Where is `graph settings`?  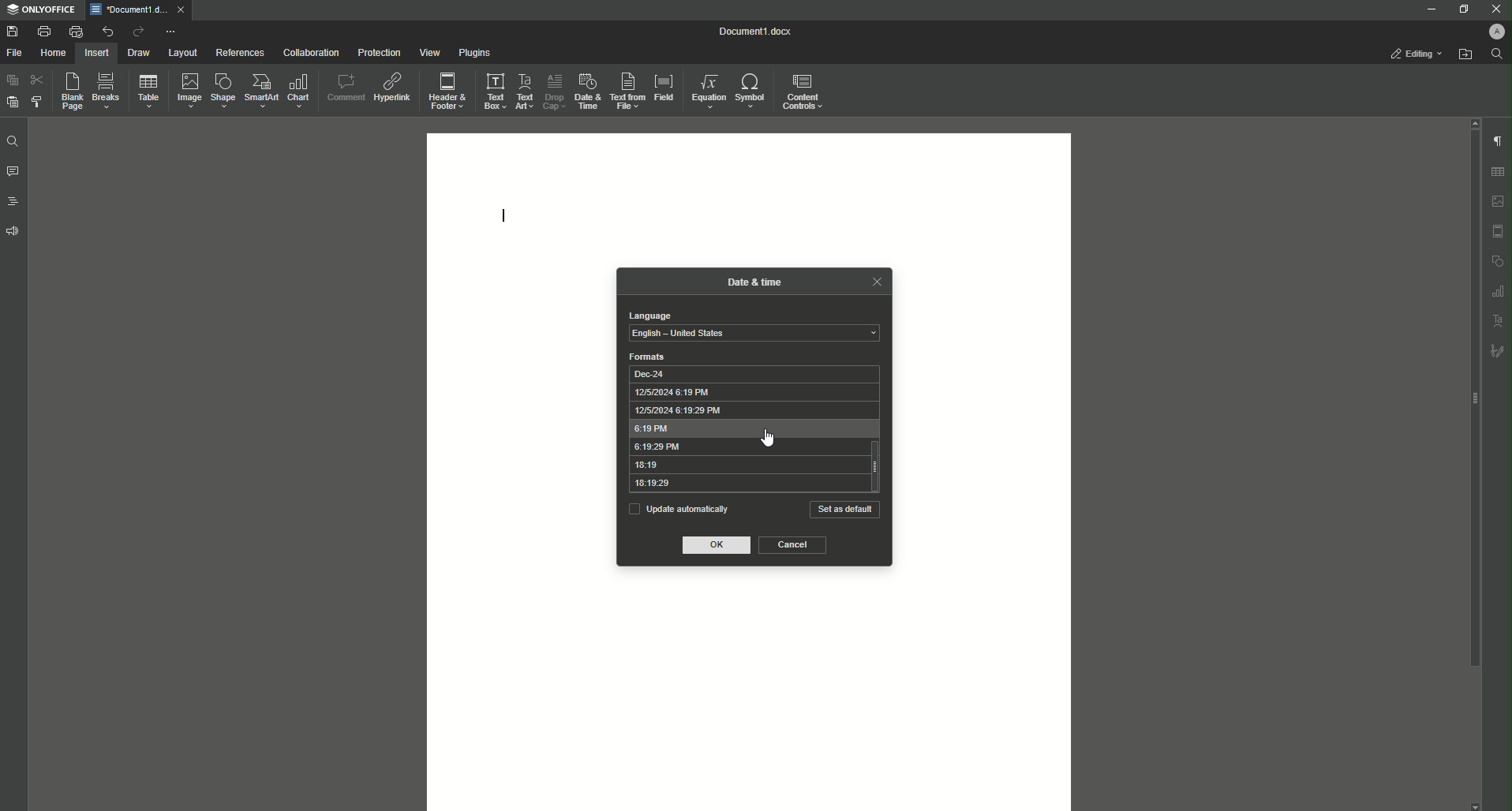
graph settings is located at coordinates (1498, 290).